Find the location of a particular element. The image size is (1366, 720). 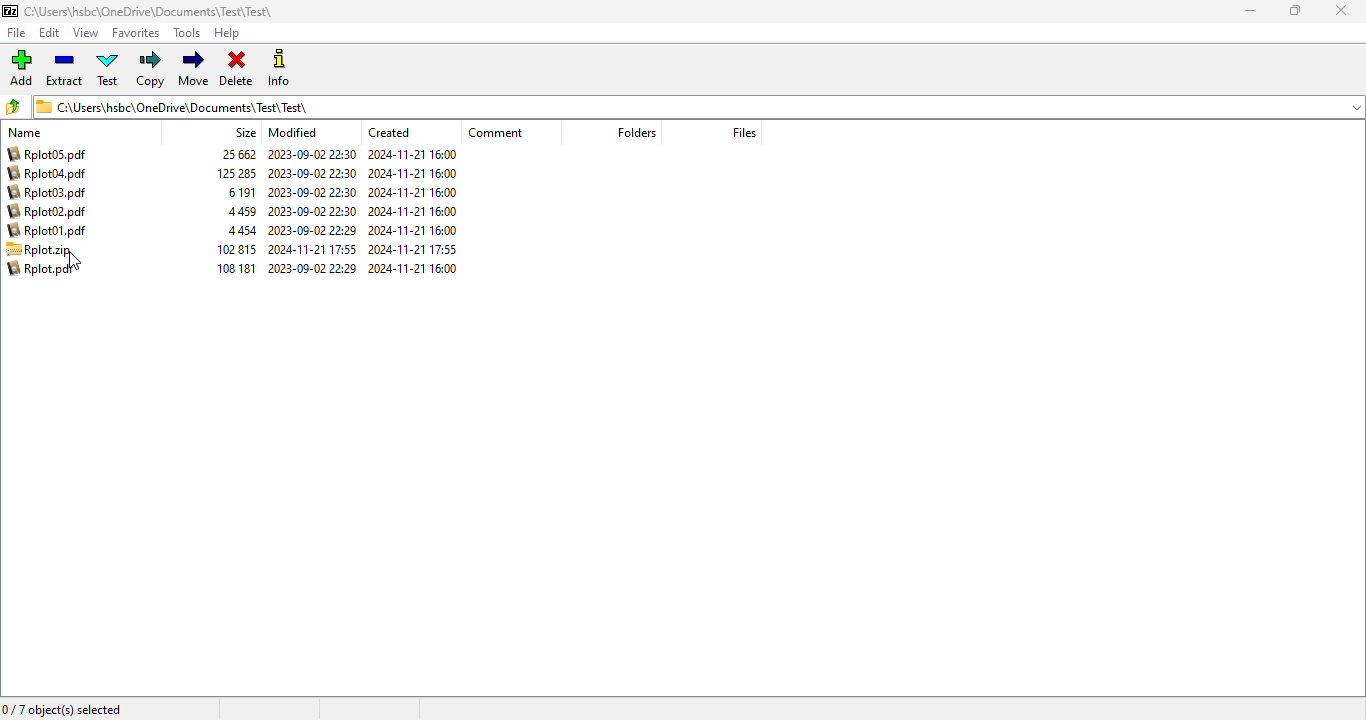

file name is located at coordinates (41, 270).